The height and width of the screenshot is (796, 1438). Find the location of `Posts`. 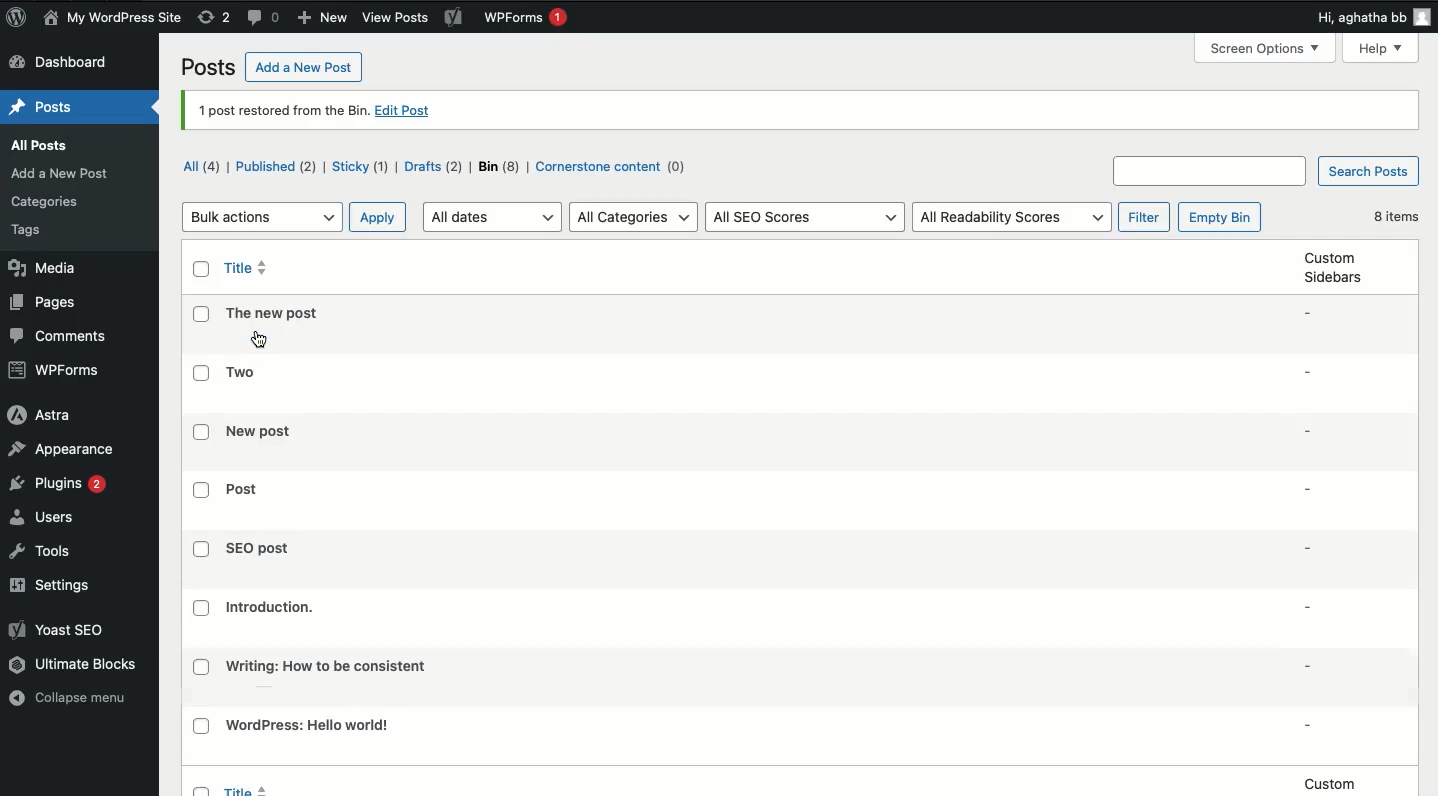

Posts is located at coordinates (210, 68).